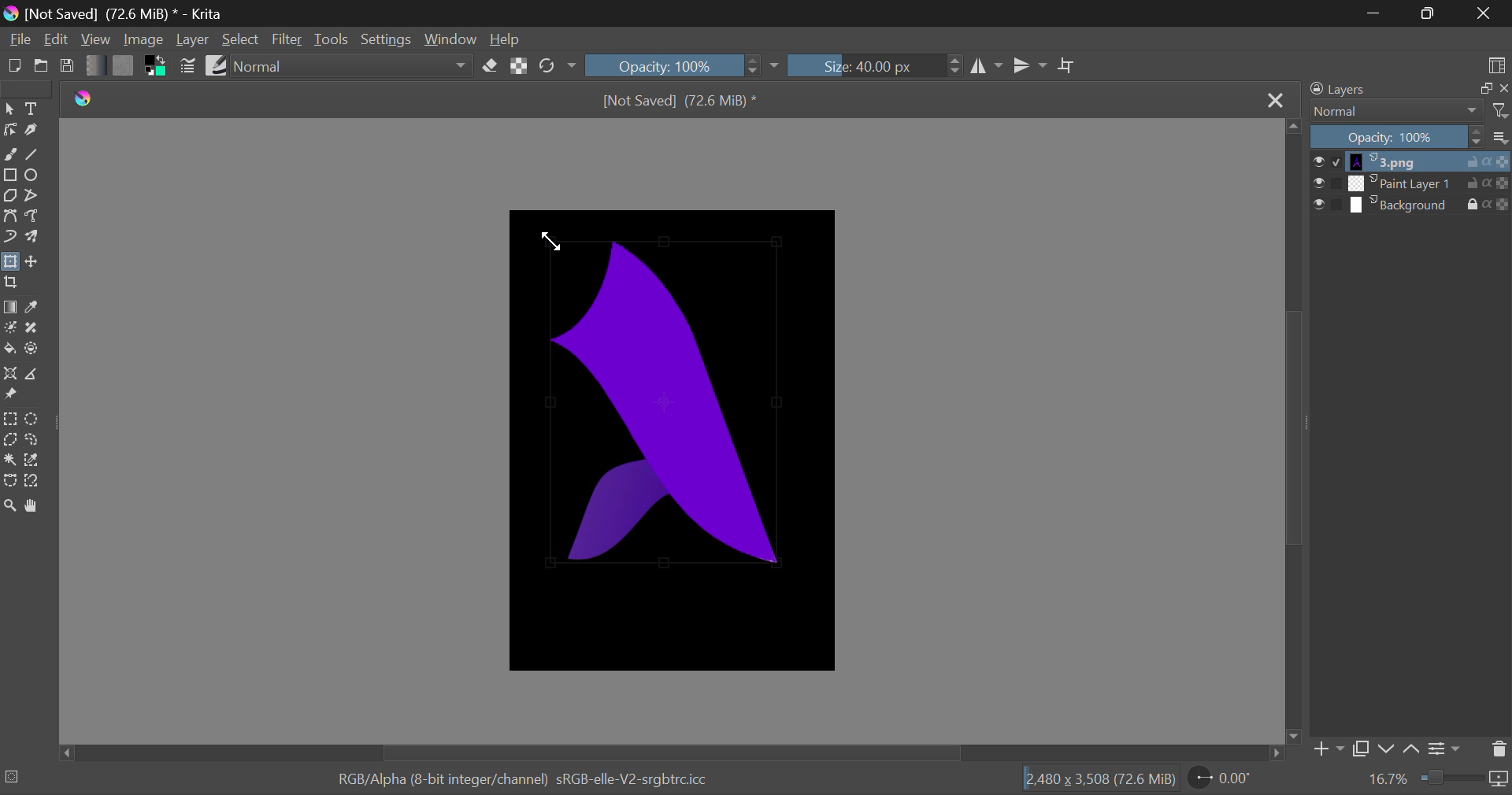  I want to click on Settings, so click(1445, 749).